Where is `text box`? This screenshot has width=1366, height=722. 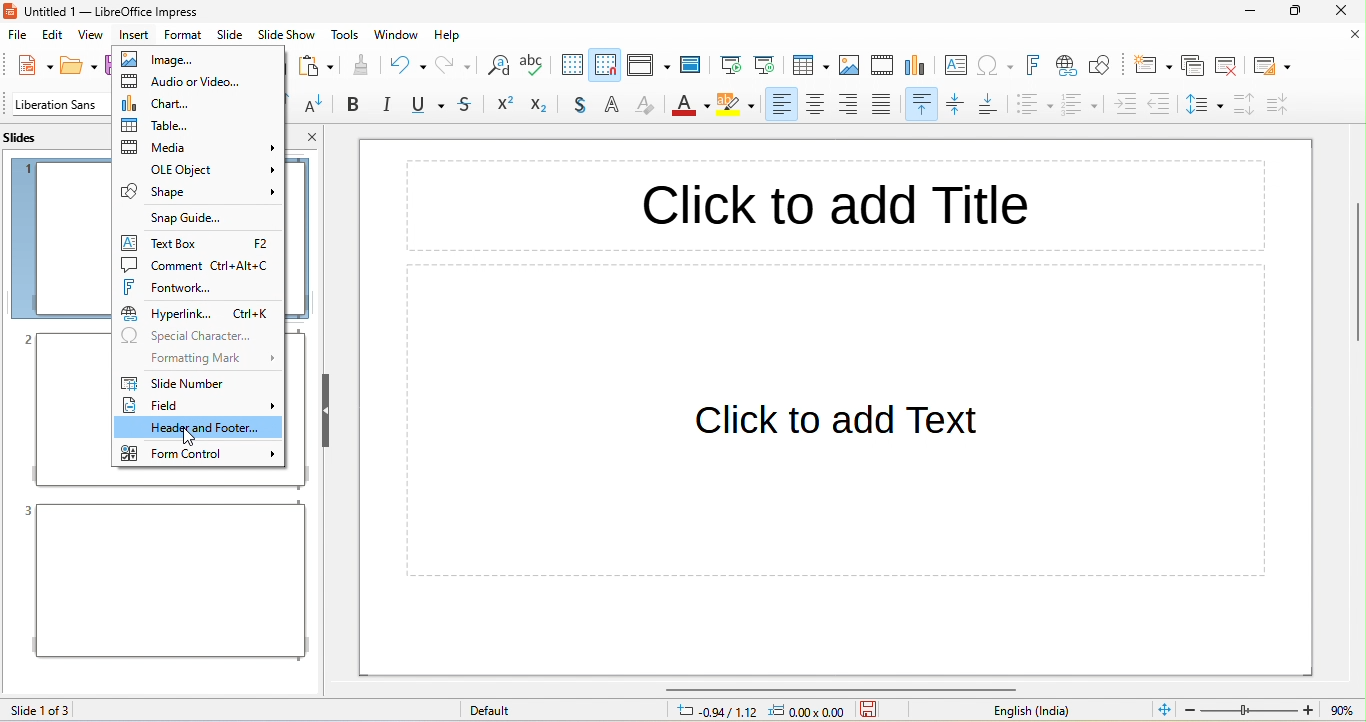 text box is located at coordinates (166, 241).